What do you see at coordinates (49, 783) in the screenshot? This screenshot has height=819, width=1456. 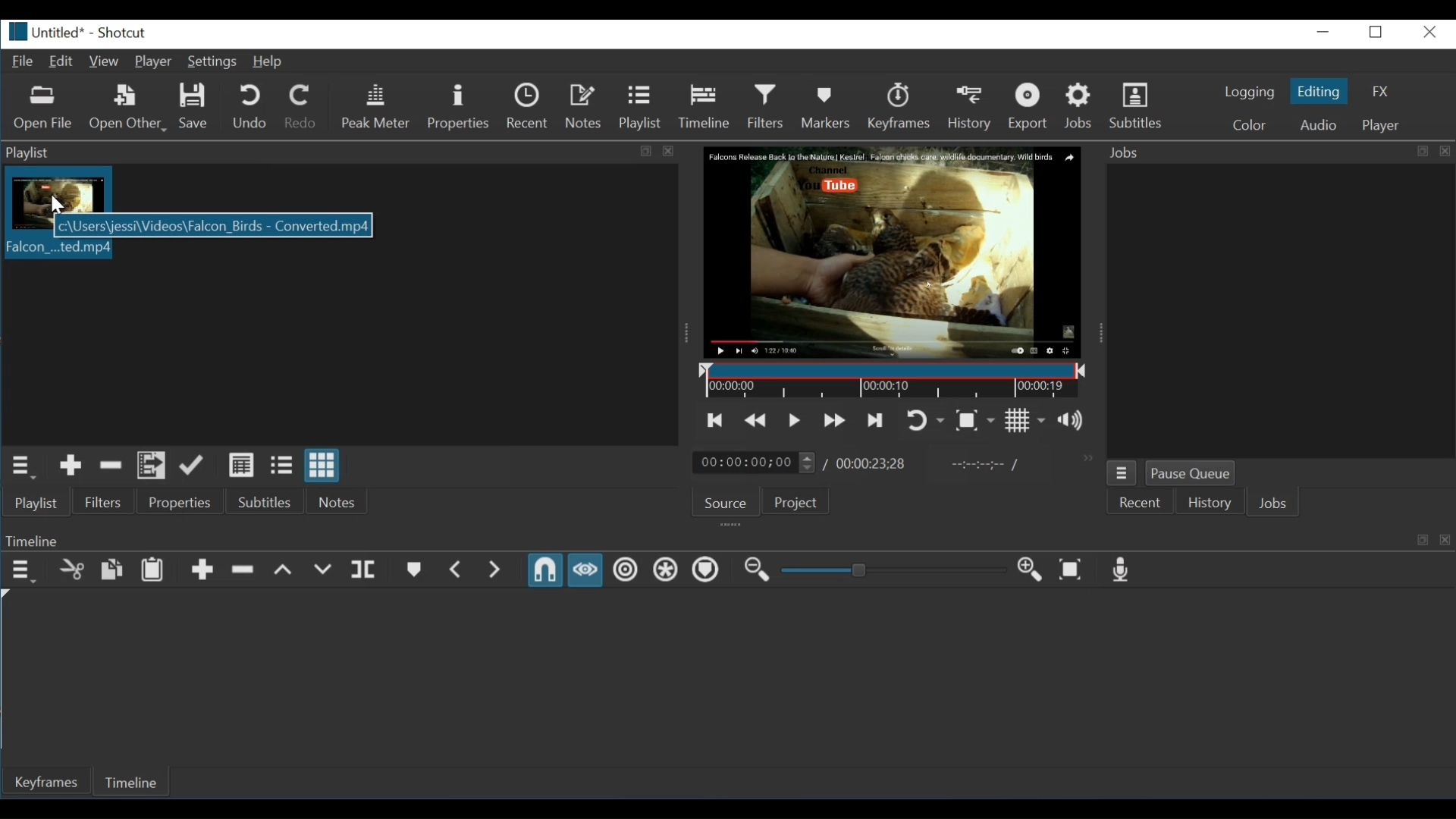 I see `Keyframe` at bounding box center [49, 783].